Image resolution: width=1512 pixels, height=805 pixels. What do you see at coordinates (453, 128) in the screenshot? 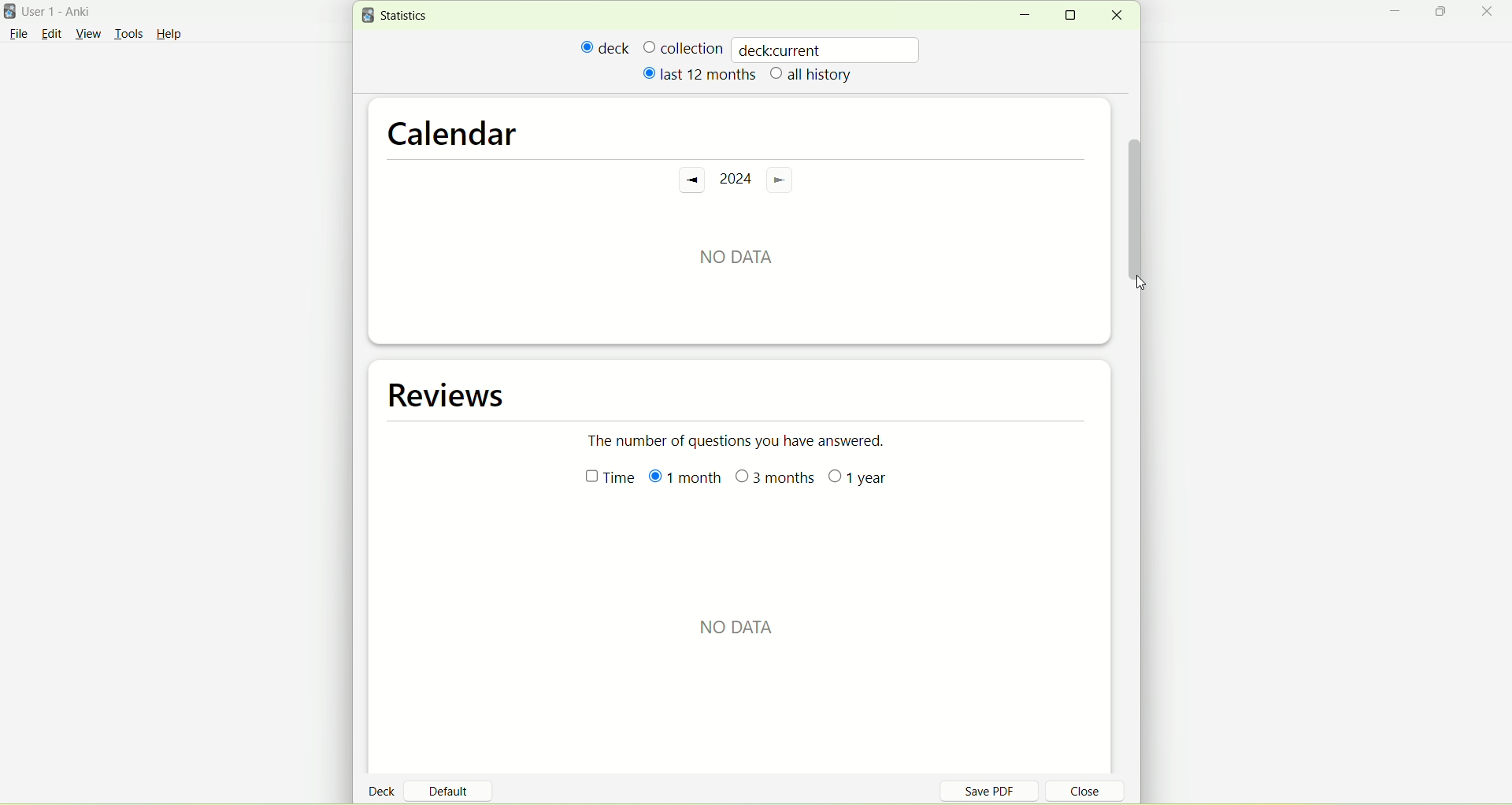
I see `calendar` at bounding box center [453, 128].